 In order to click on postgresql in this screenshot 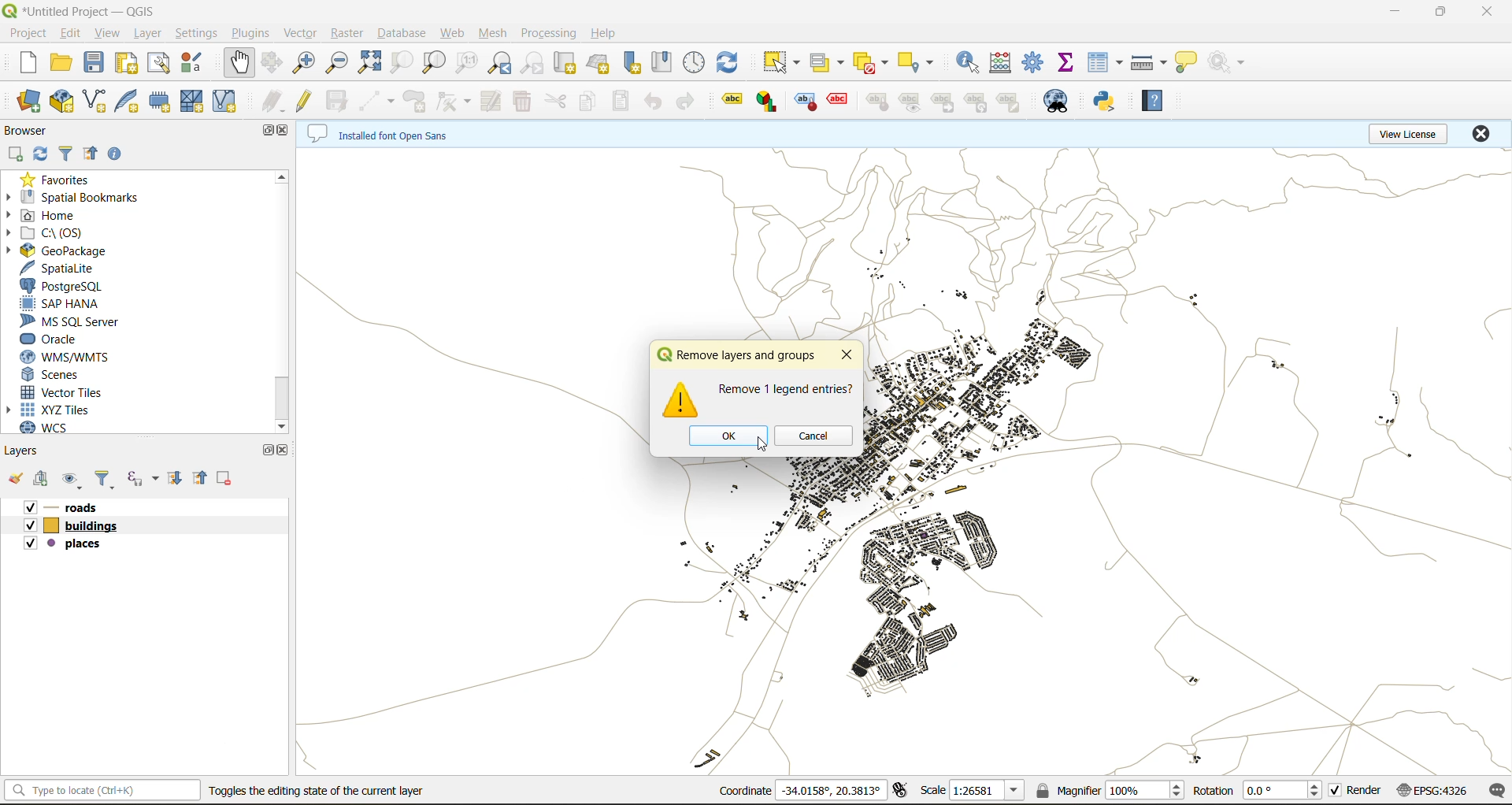, I will do `click(61, 288)`.